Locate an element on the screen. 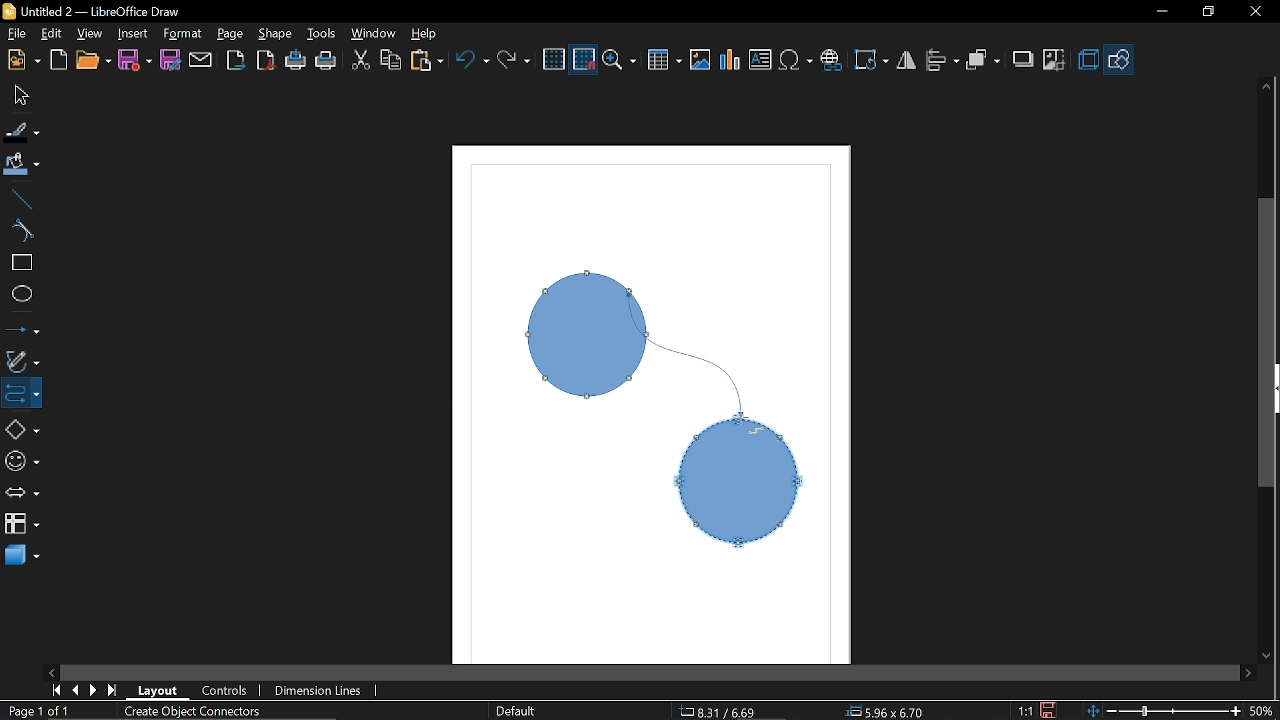 This screenshot has width=1280, height=720. Shape is located at coordinates (275, 34).